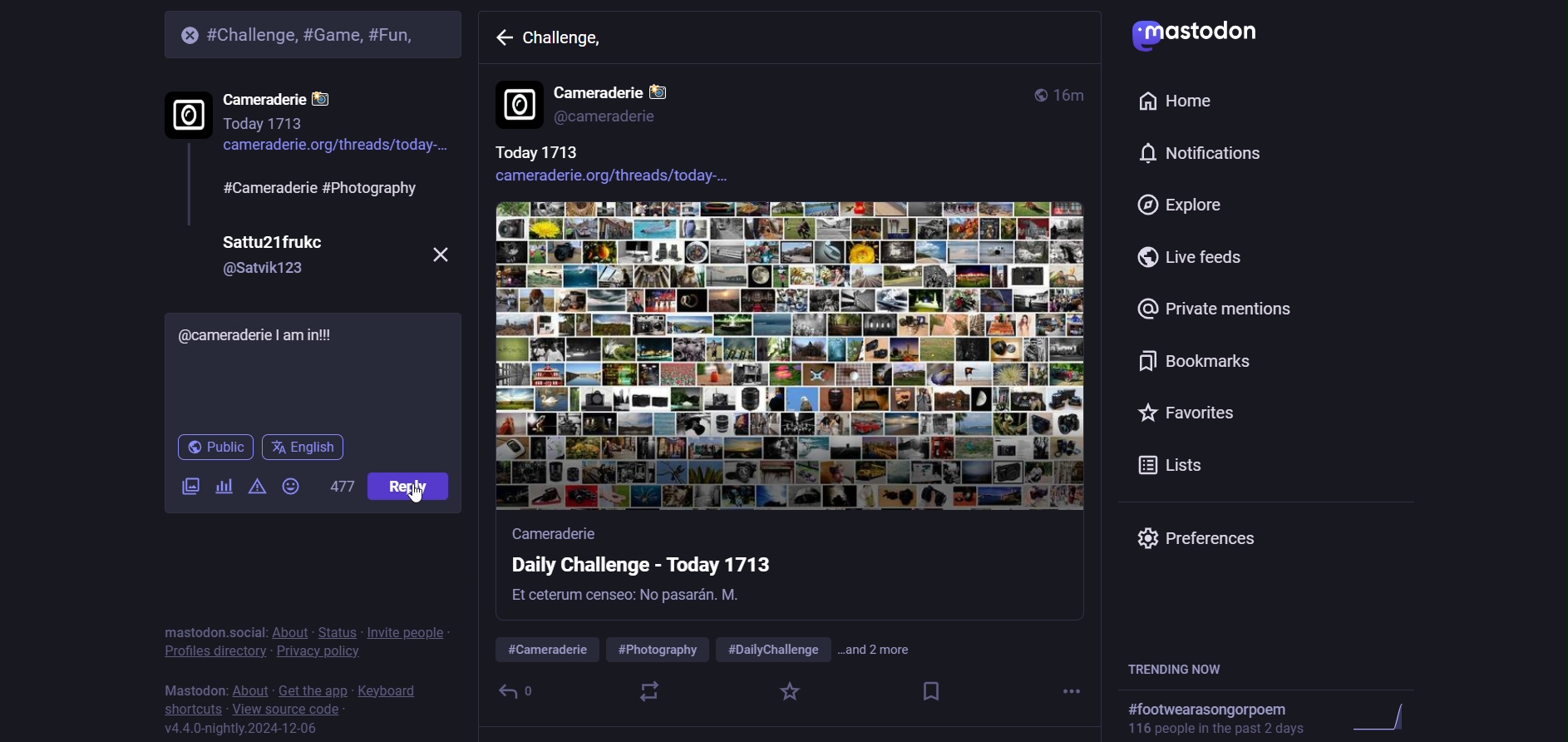  What do you see at coordinates (1187, 411) in the screenshot?
I see `favorites` at bounding box center [1187, 411].